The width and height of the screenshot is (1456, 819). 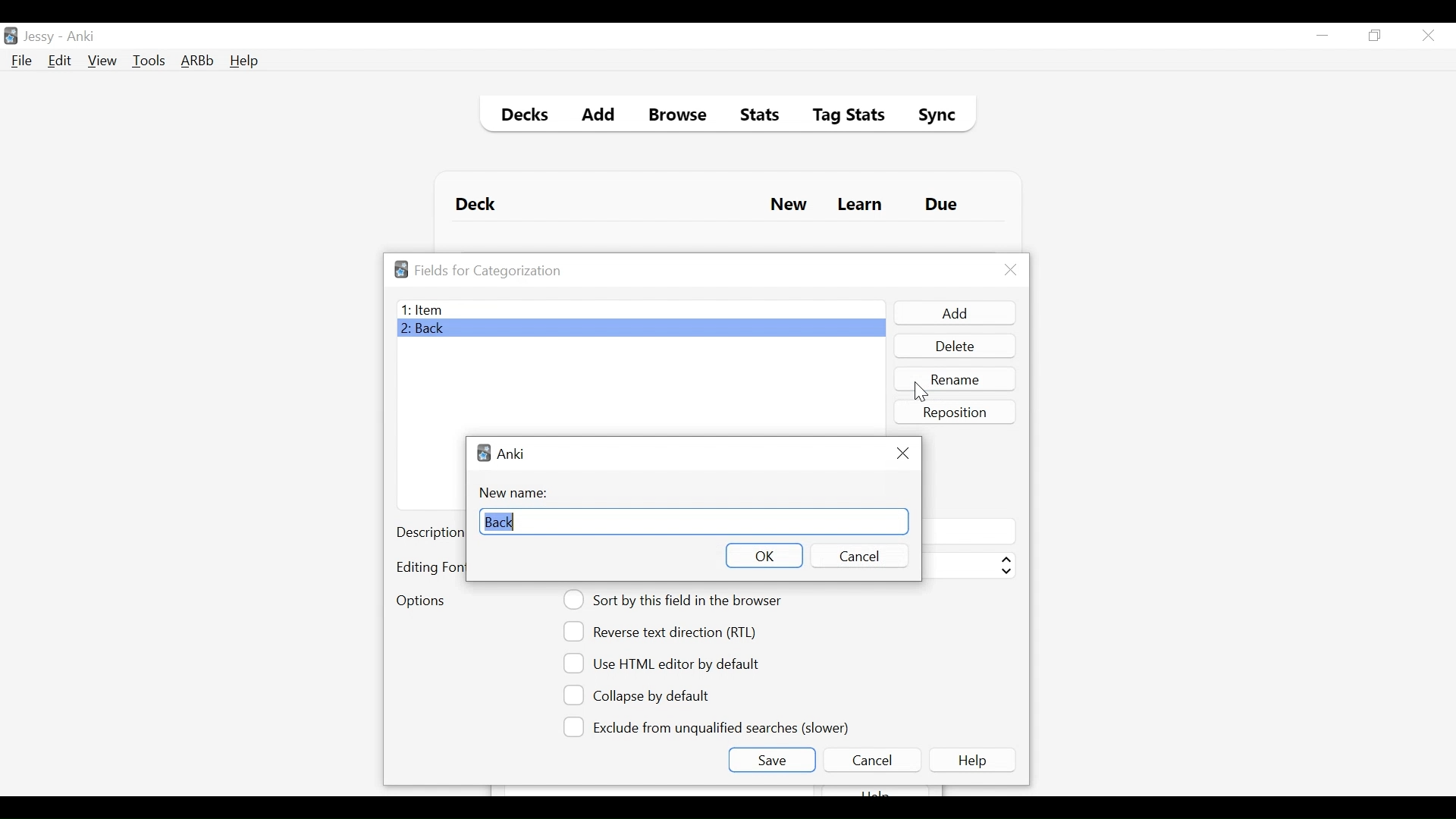 What do you see at coordinates (81, 36) in the screenshot?
I see `Anki` at bounding box center [81, 36].